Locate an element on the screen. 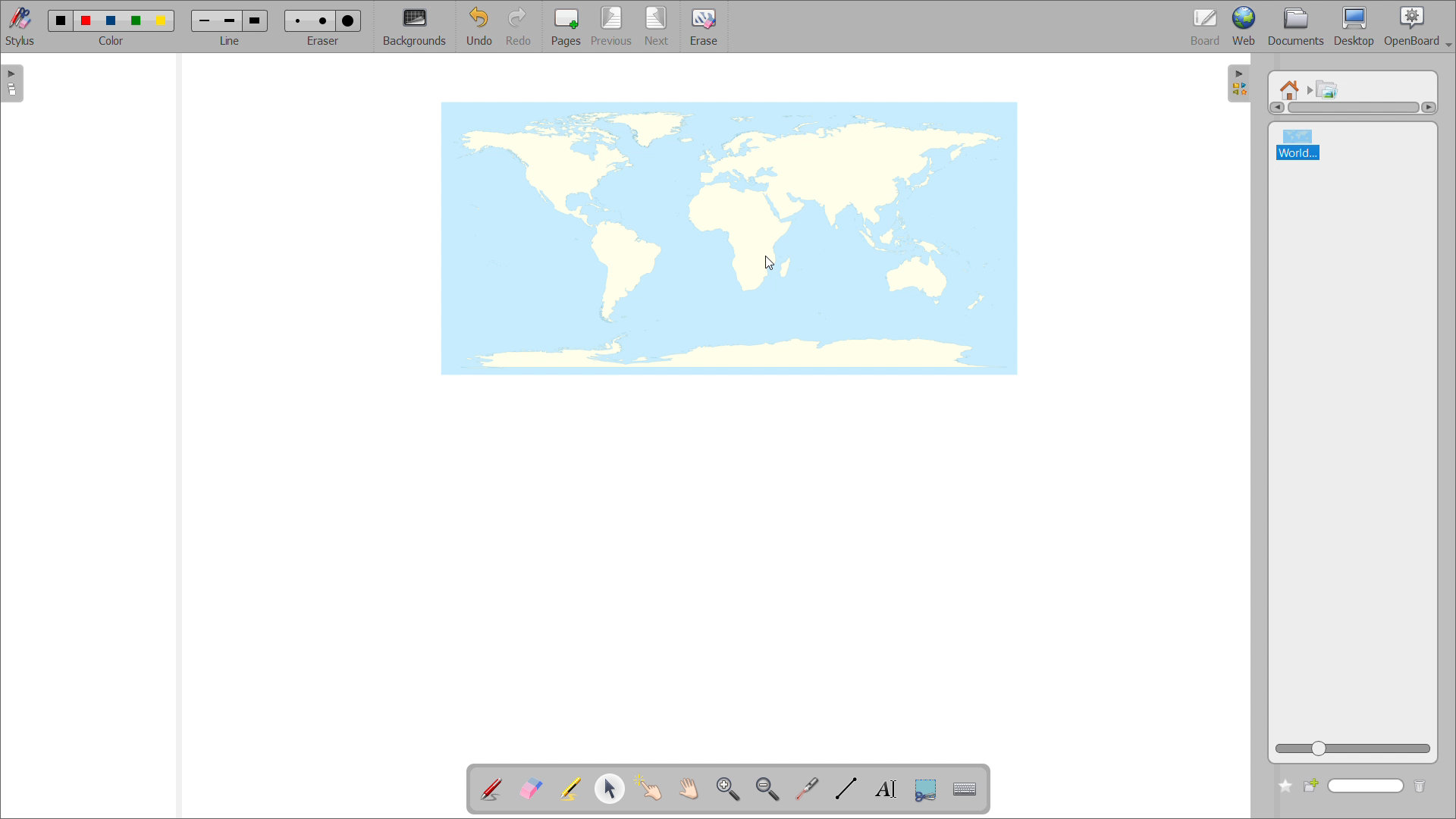 The image size is (1456, 819). erase is located at coordinates (704, 27).